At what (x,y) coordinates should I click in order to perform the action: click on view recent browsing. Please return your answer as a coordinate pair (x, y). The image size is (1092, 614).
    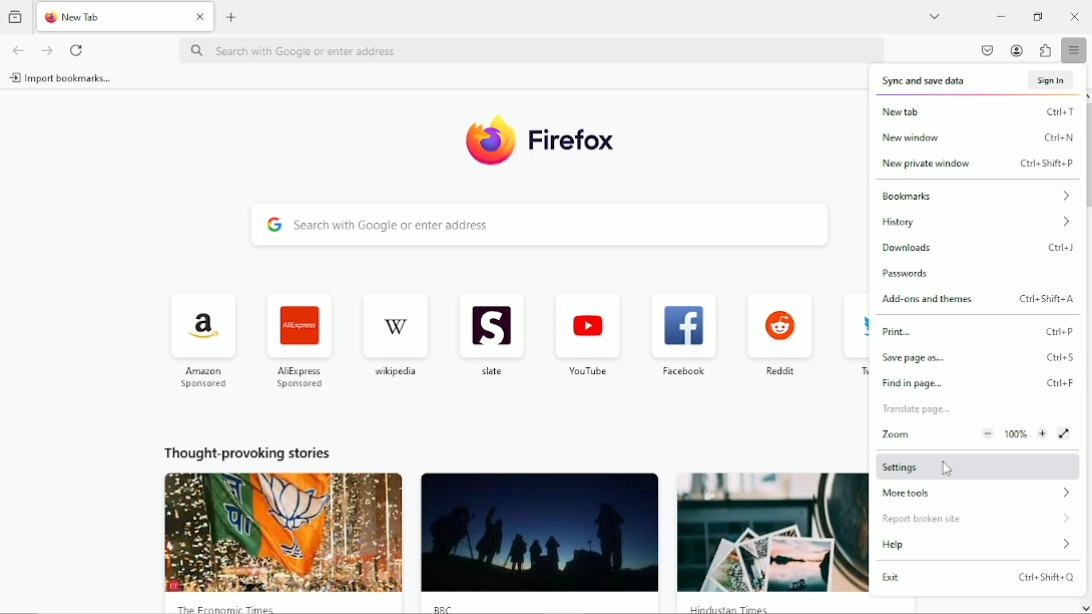
    Looking at the image, I should click on (17, 15).